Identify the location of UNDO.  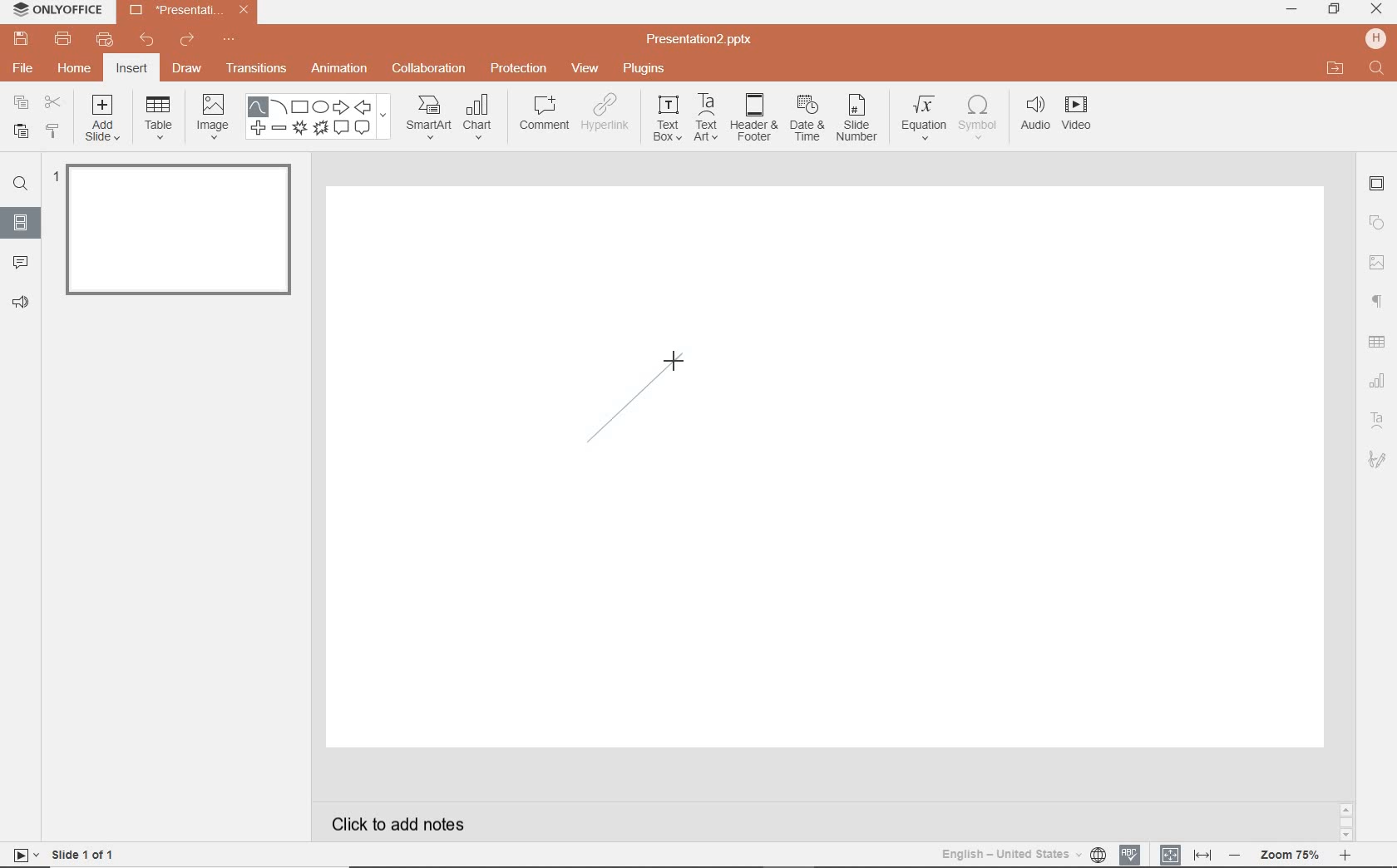
(146, 42).